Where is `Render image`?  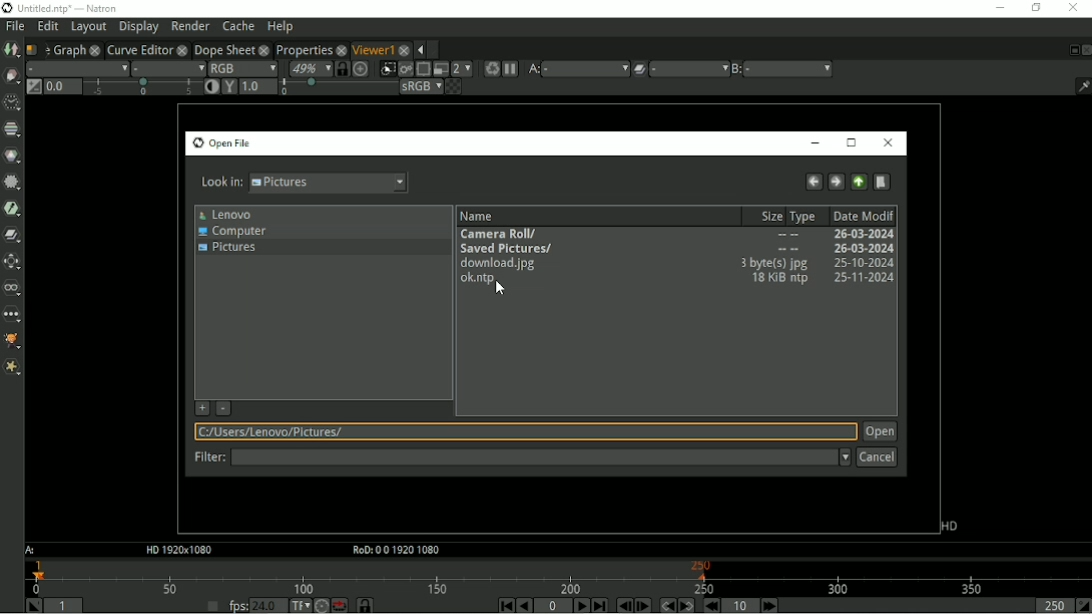
Render image is located at coordinates (405, 69).